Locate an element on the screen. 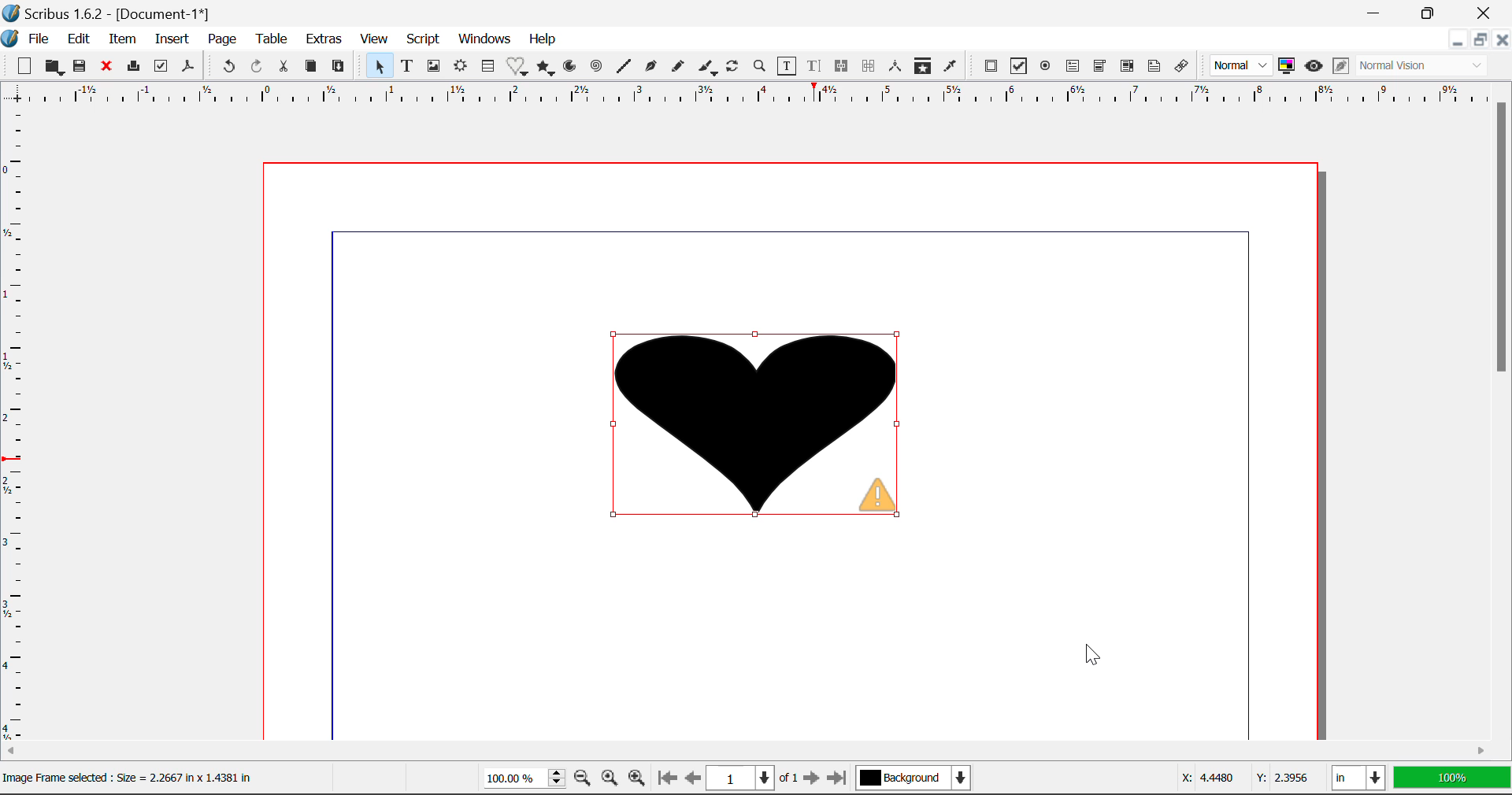  Arcs is located at coordinates (569, 66).